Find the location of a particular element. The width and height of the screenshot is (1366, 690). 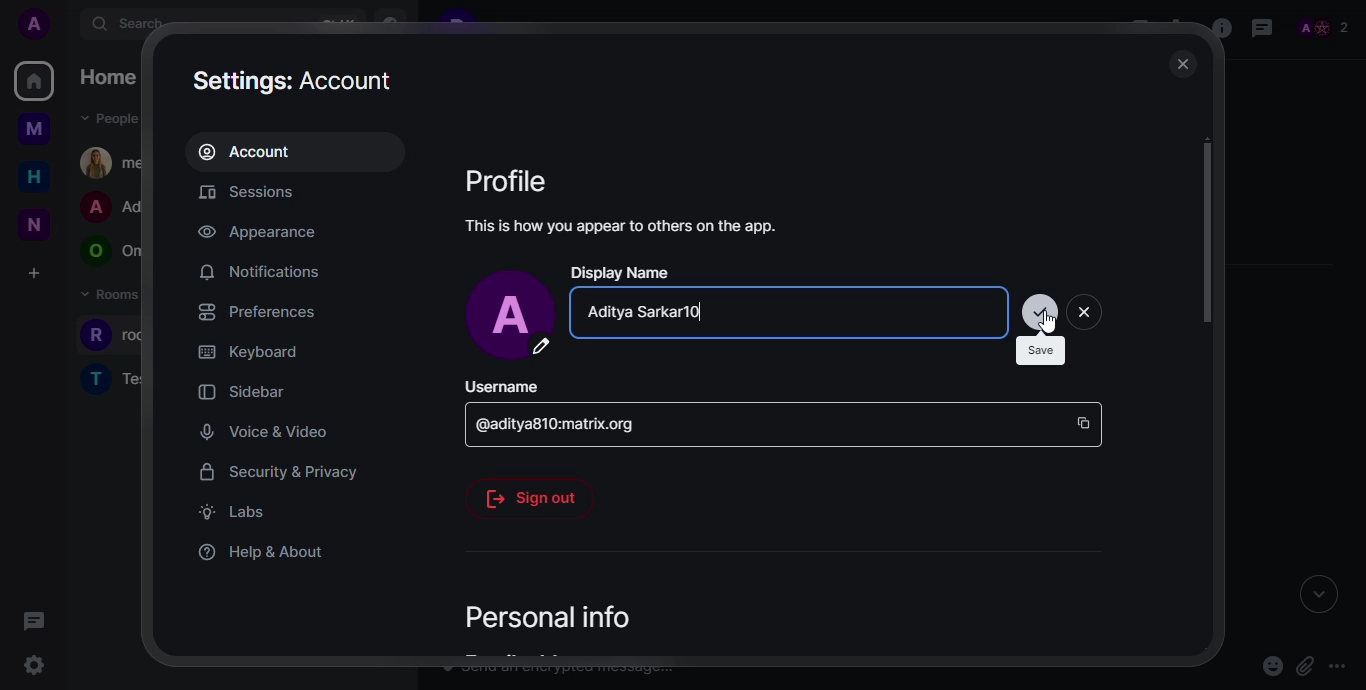

security is located at coordinates (278, 471).